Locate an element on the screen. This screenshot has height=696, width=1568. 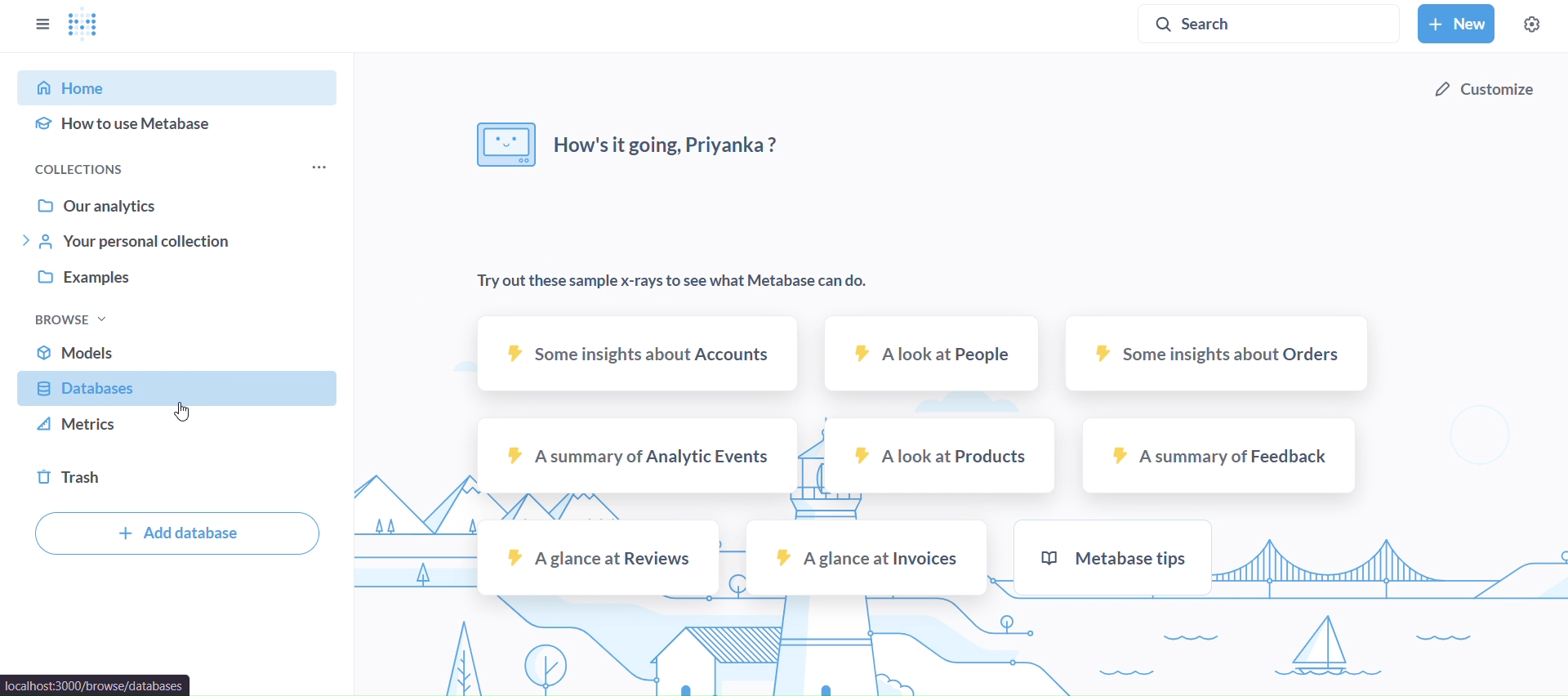
close sidebar is located at coordinates (44, 25).